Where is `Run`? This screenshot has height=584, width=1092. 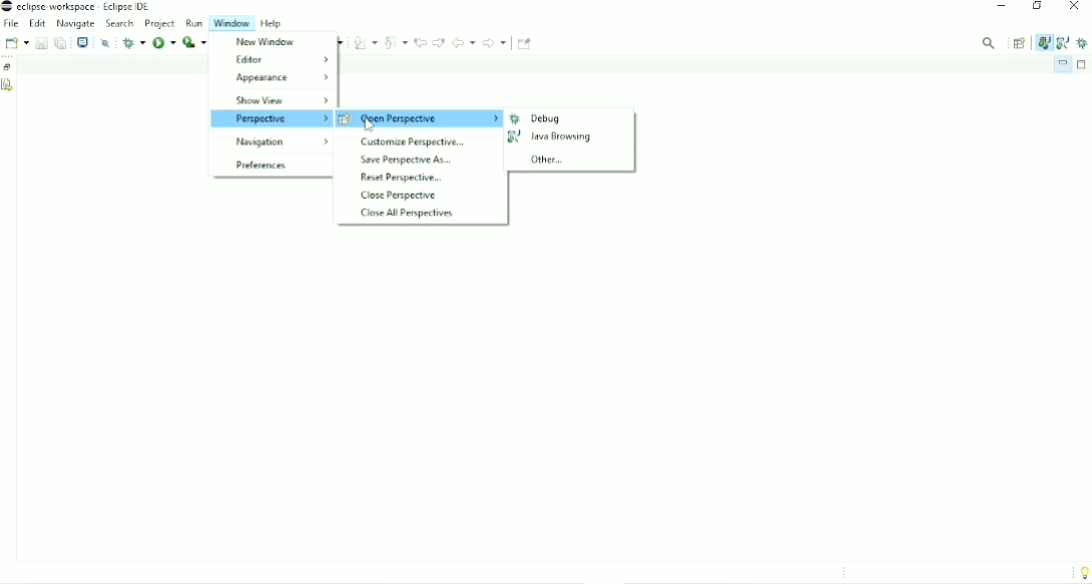 Run is located at coordinates (164, 43).